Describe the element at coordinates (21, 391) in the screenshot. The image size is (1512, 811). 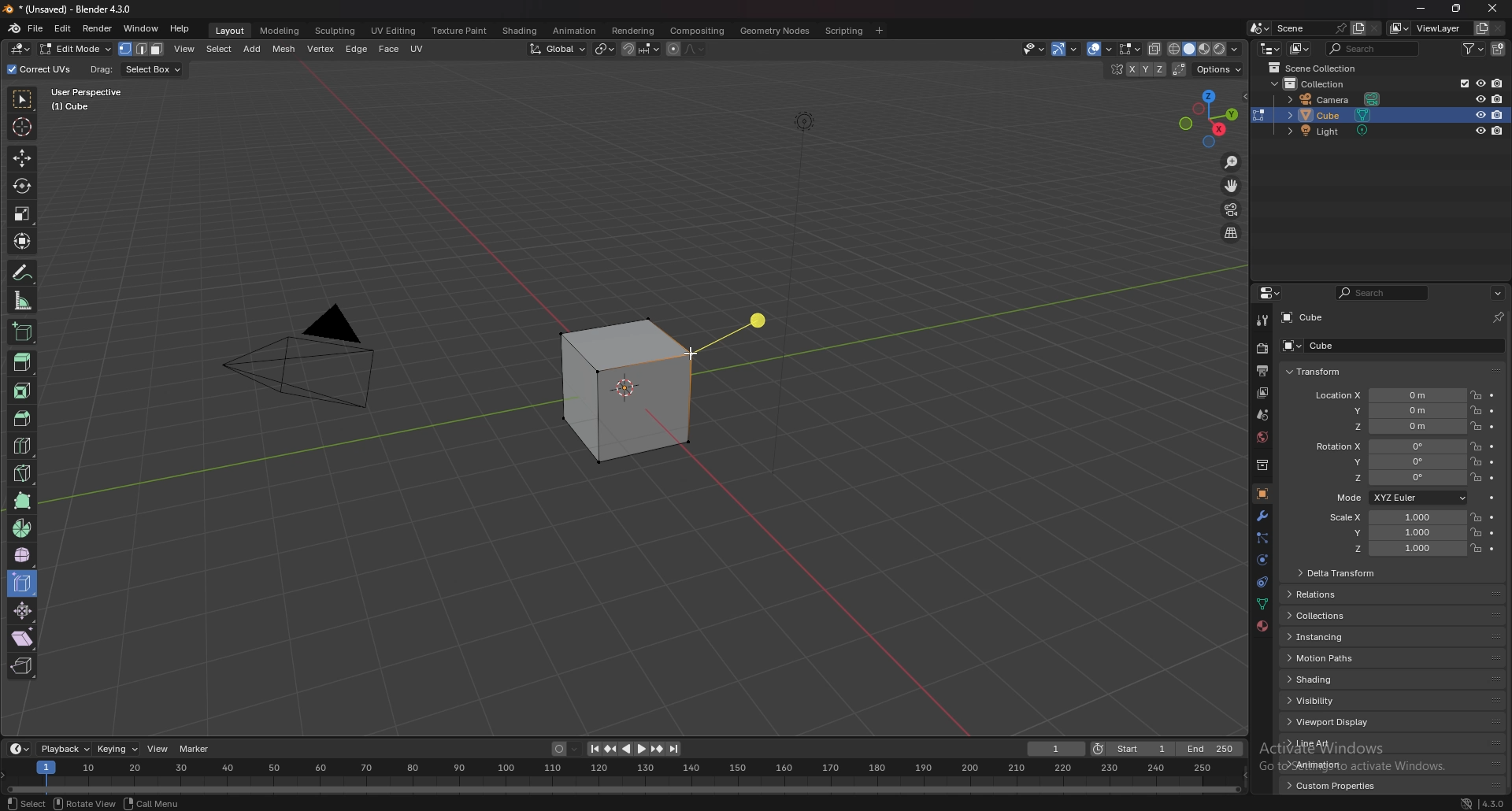
I see `inset faces` at that location.